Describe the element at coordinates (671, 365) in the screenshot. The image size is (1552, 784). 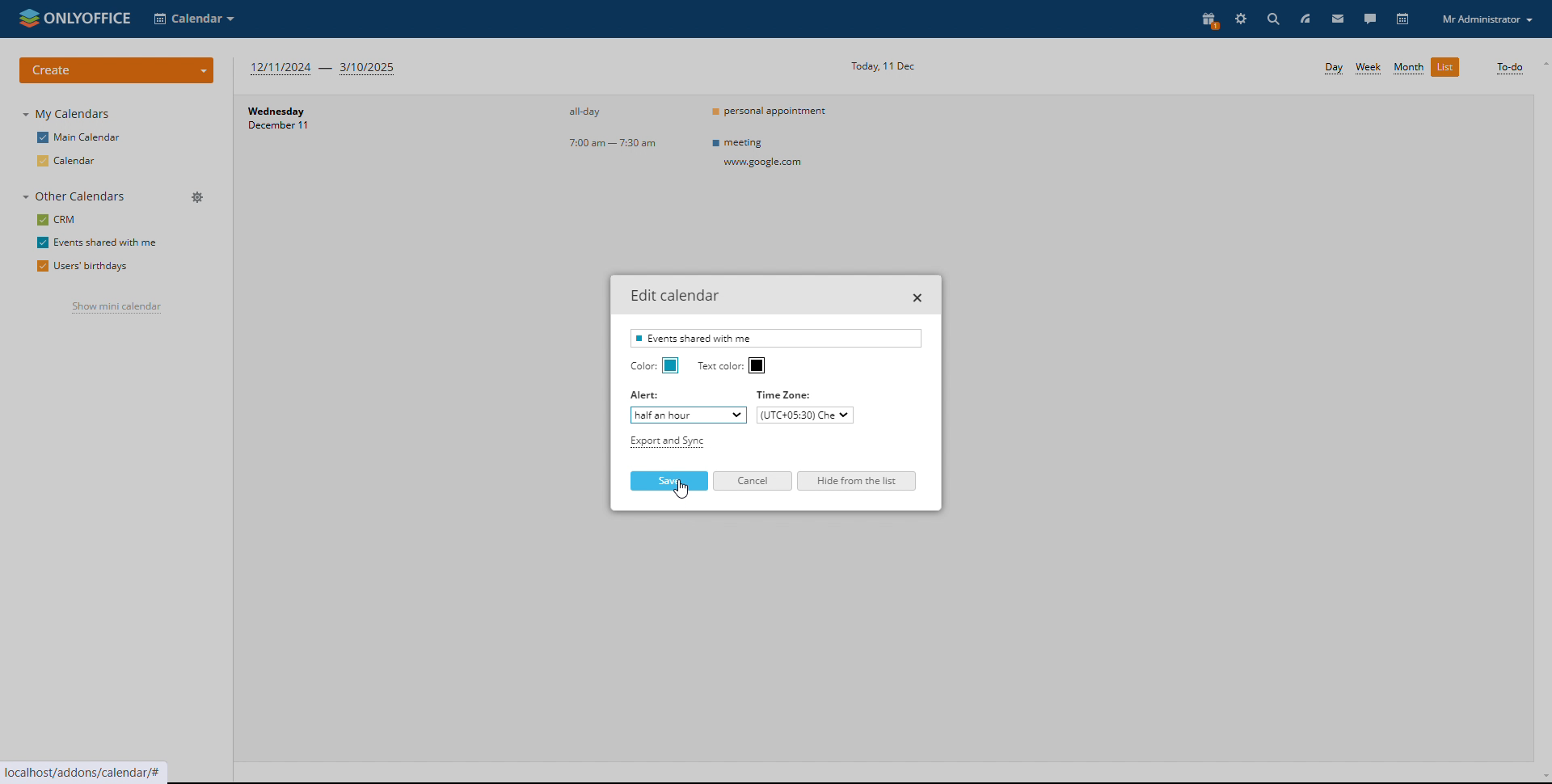
I see `calednar color` at that location.